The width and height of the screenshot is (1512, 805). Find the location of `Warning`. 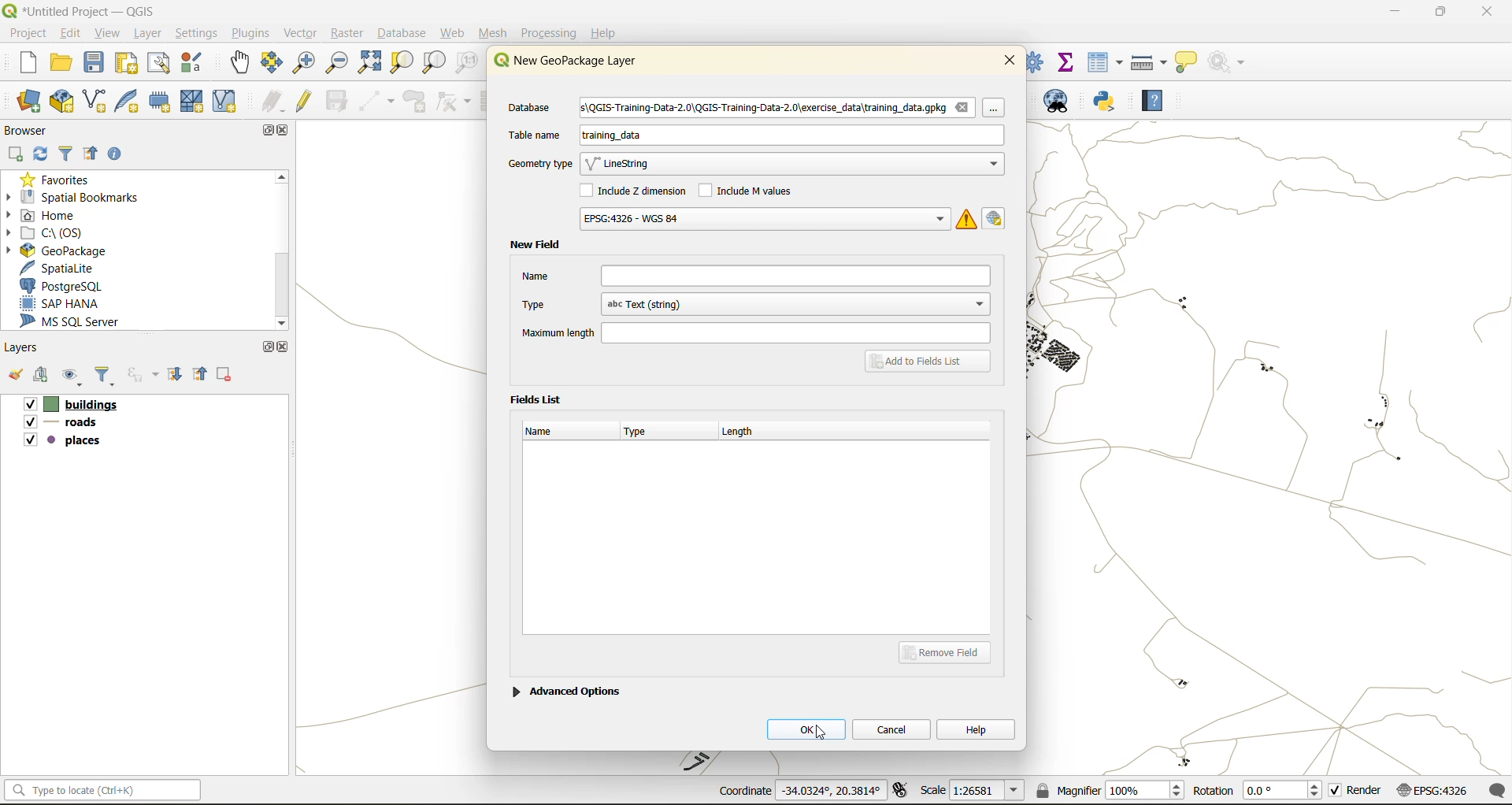

Warning is located at coordinates (967, 218).